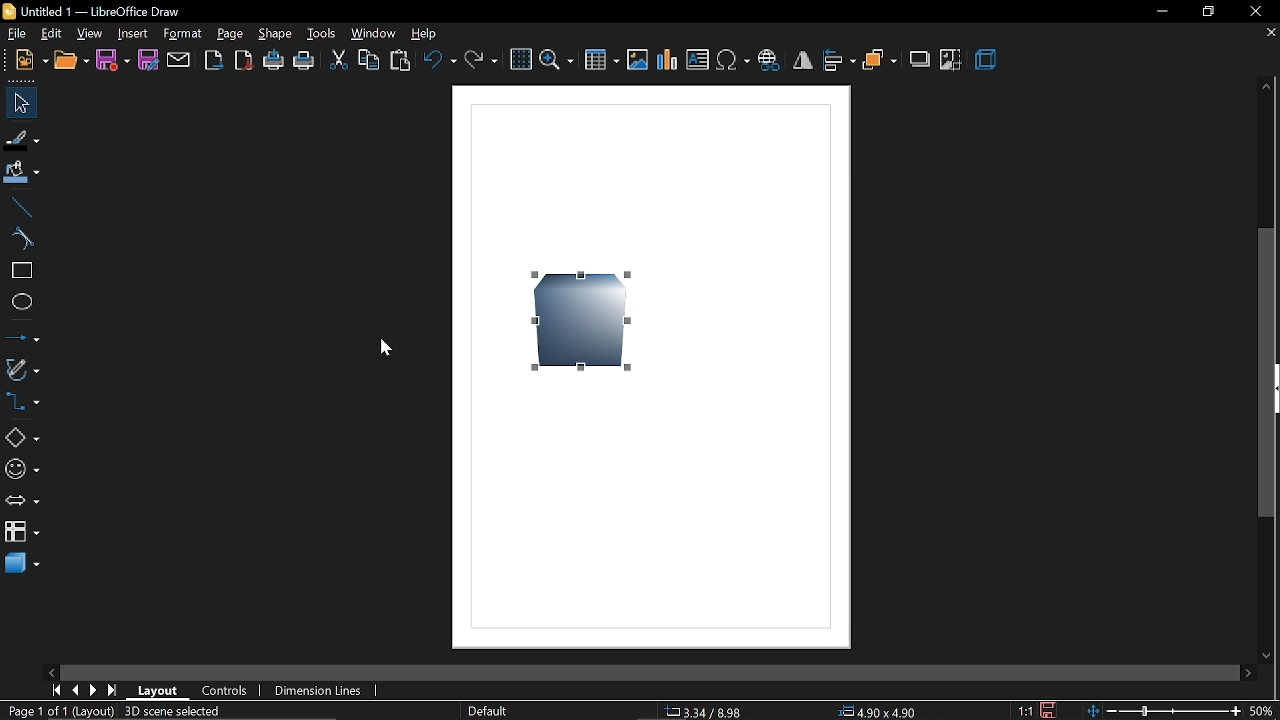 Image resolution: width=1280 pixels, height=720 pixels. What do you see at coordinates (734, 59) in the screenshot?
I see `insert symbol` at bounding box center [734, 59].